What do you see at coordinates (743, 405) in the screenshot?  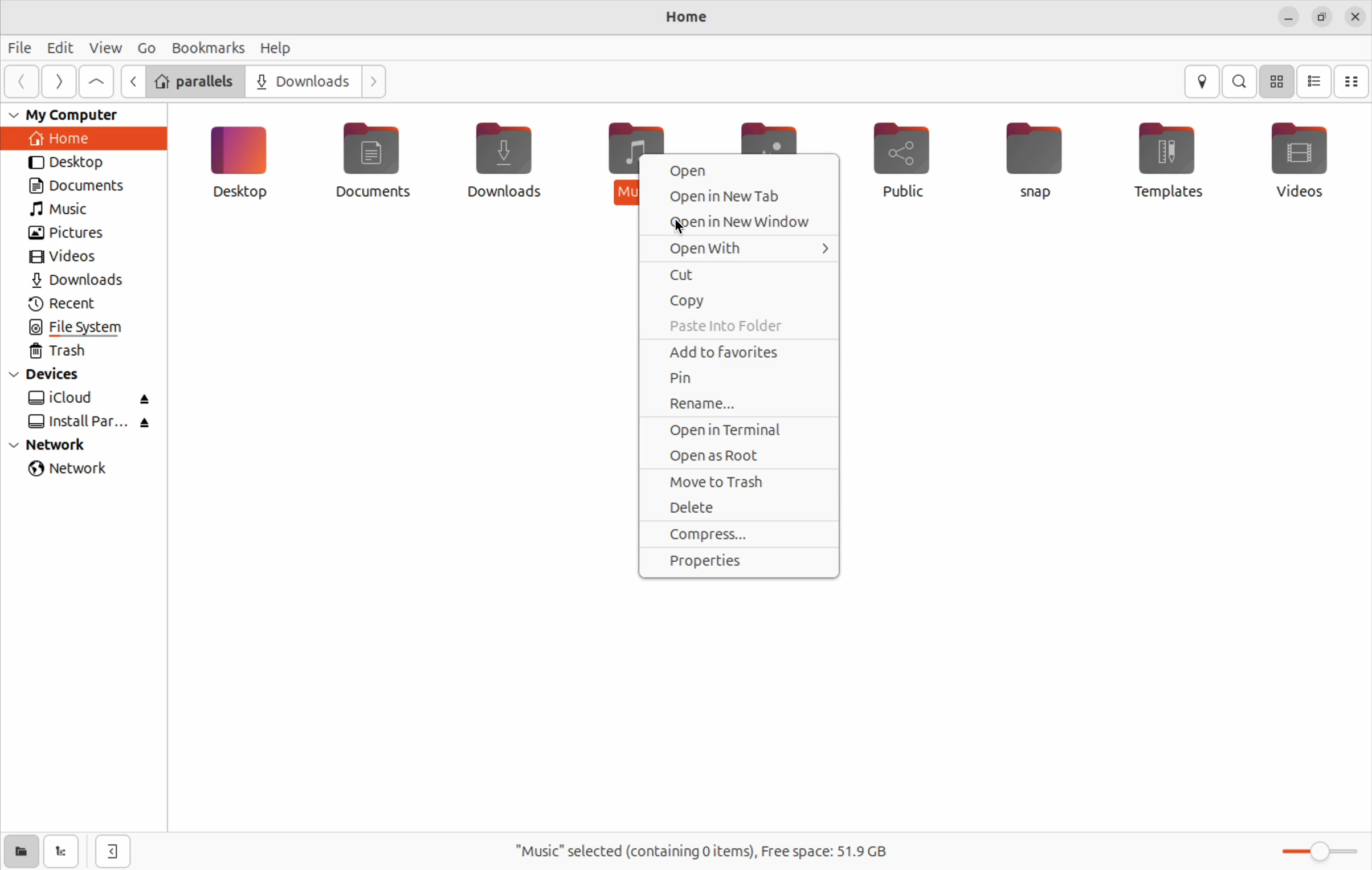 I see `rename` at bounding box center [743, 405].